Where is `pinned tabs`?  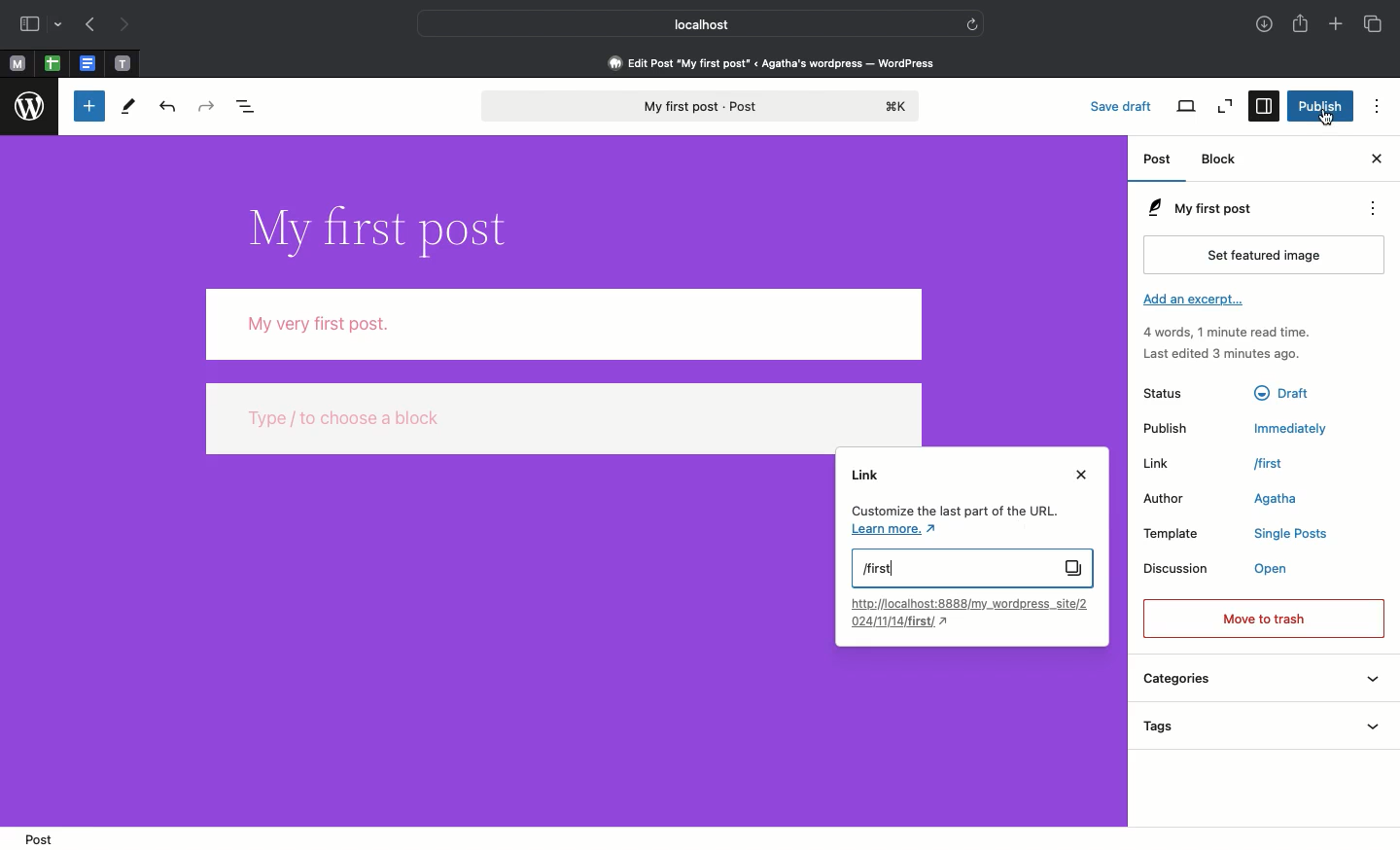
pinned tabs is located at coordinates (87, 64).